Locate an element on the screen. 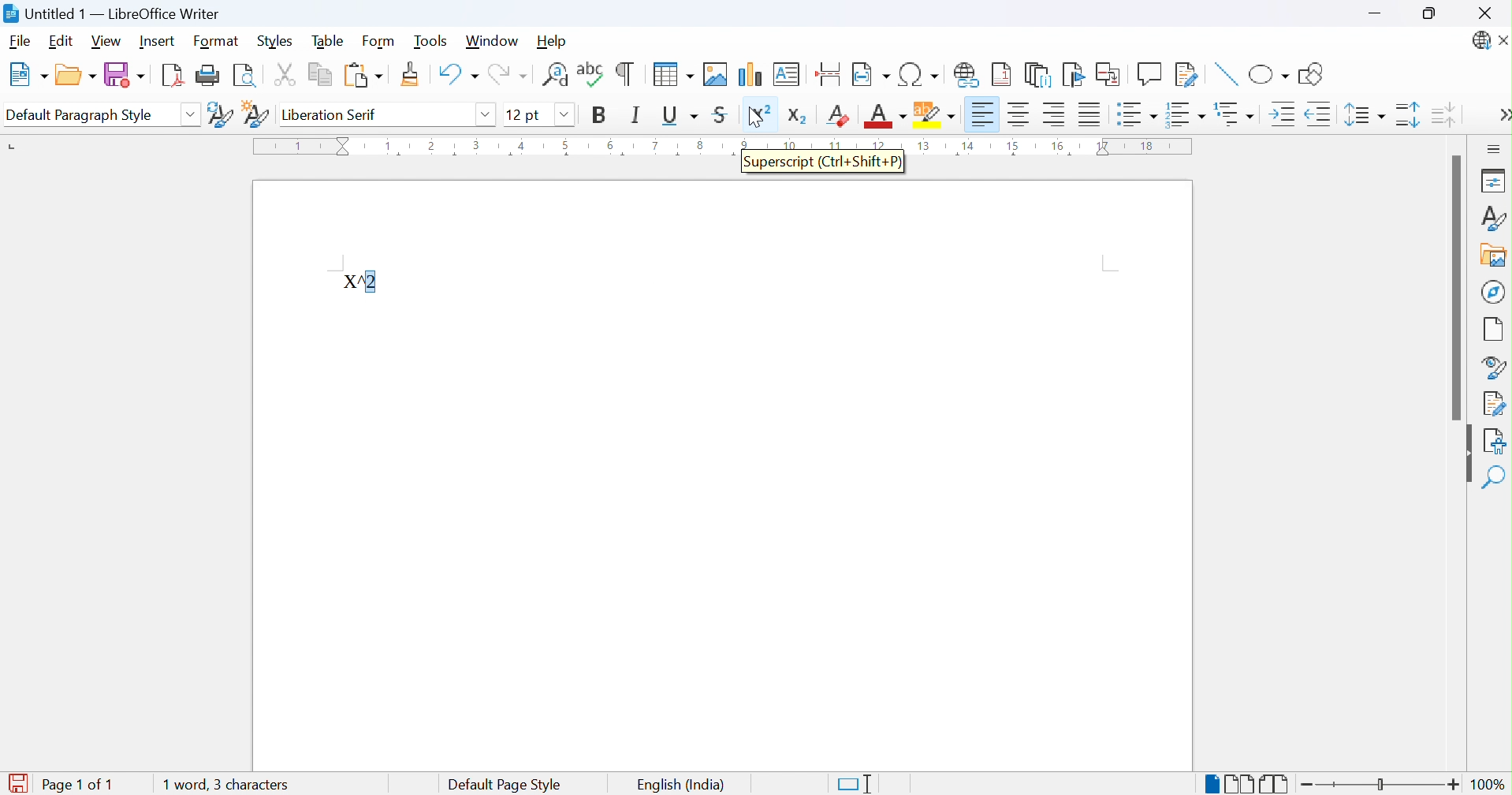 The image size is (1512, 795). Open is located at coordinates (76, 72).